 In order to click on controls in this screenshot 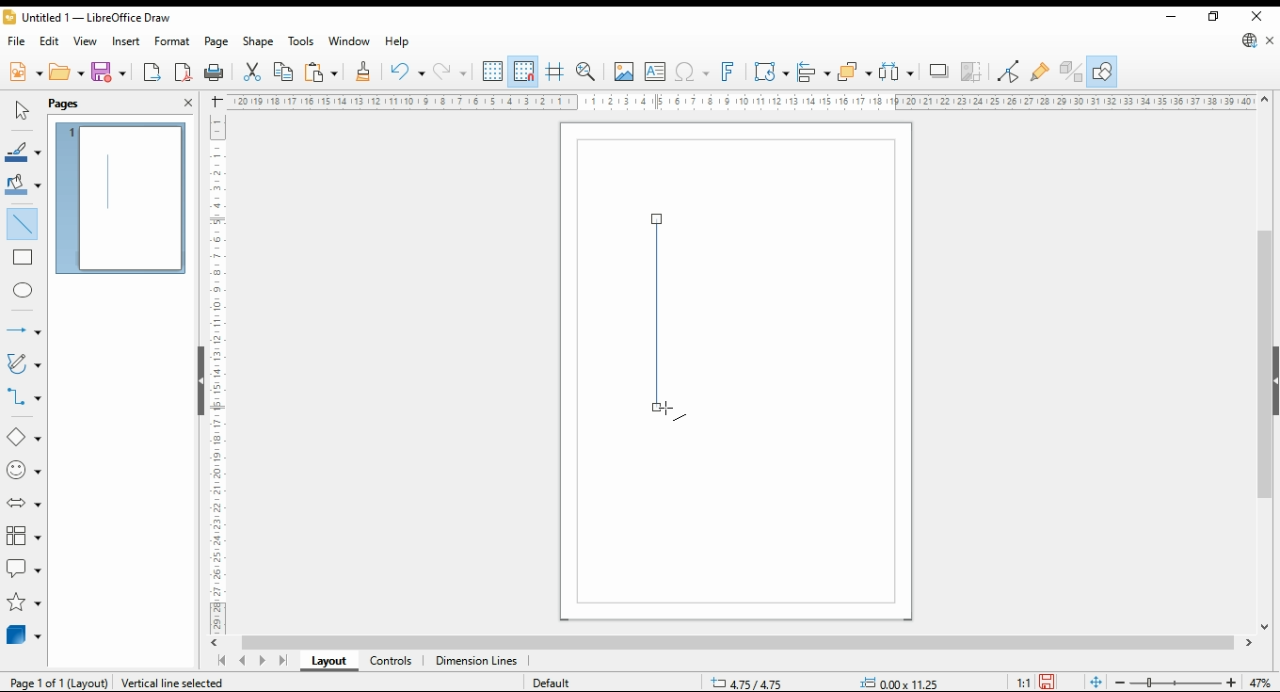, I will do `click(390, 662)`.